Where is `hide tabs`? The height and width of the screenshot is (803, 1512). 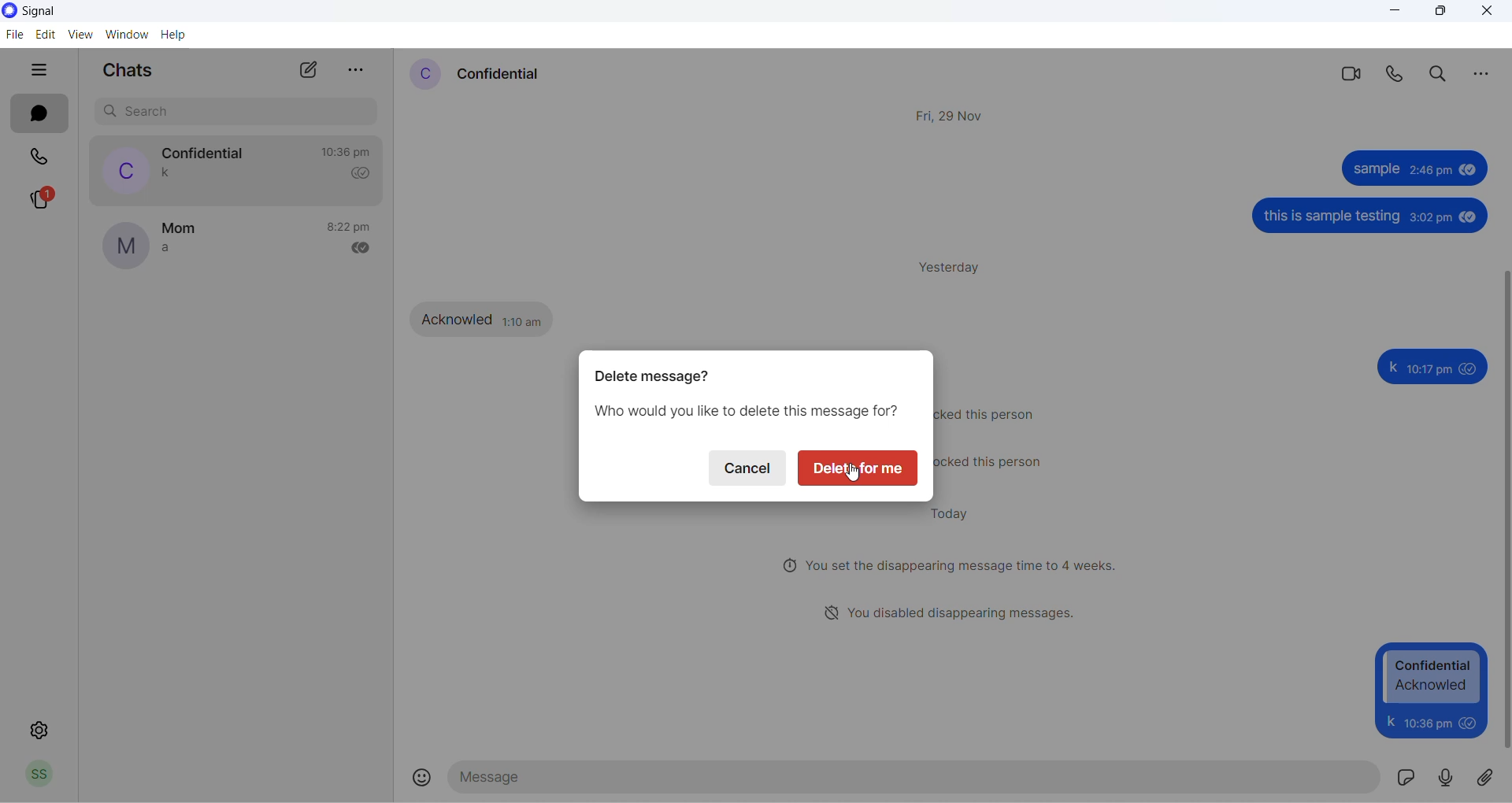
hide tabs is located at coordinates (46, 71).